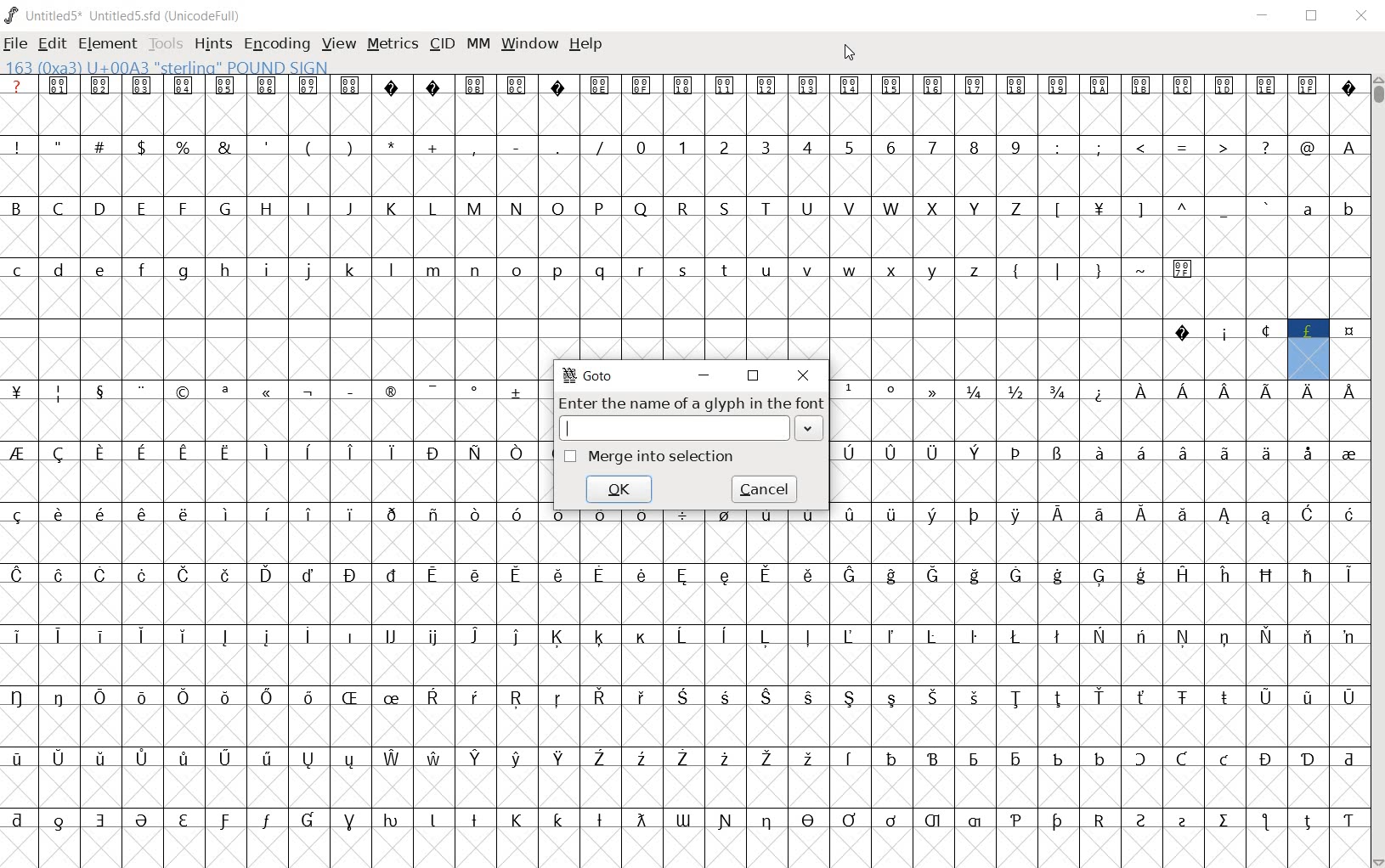 This screenshot has height=868, width=1385. I want to click on close, so click(805, 375).